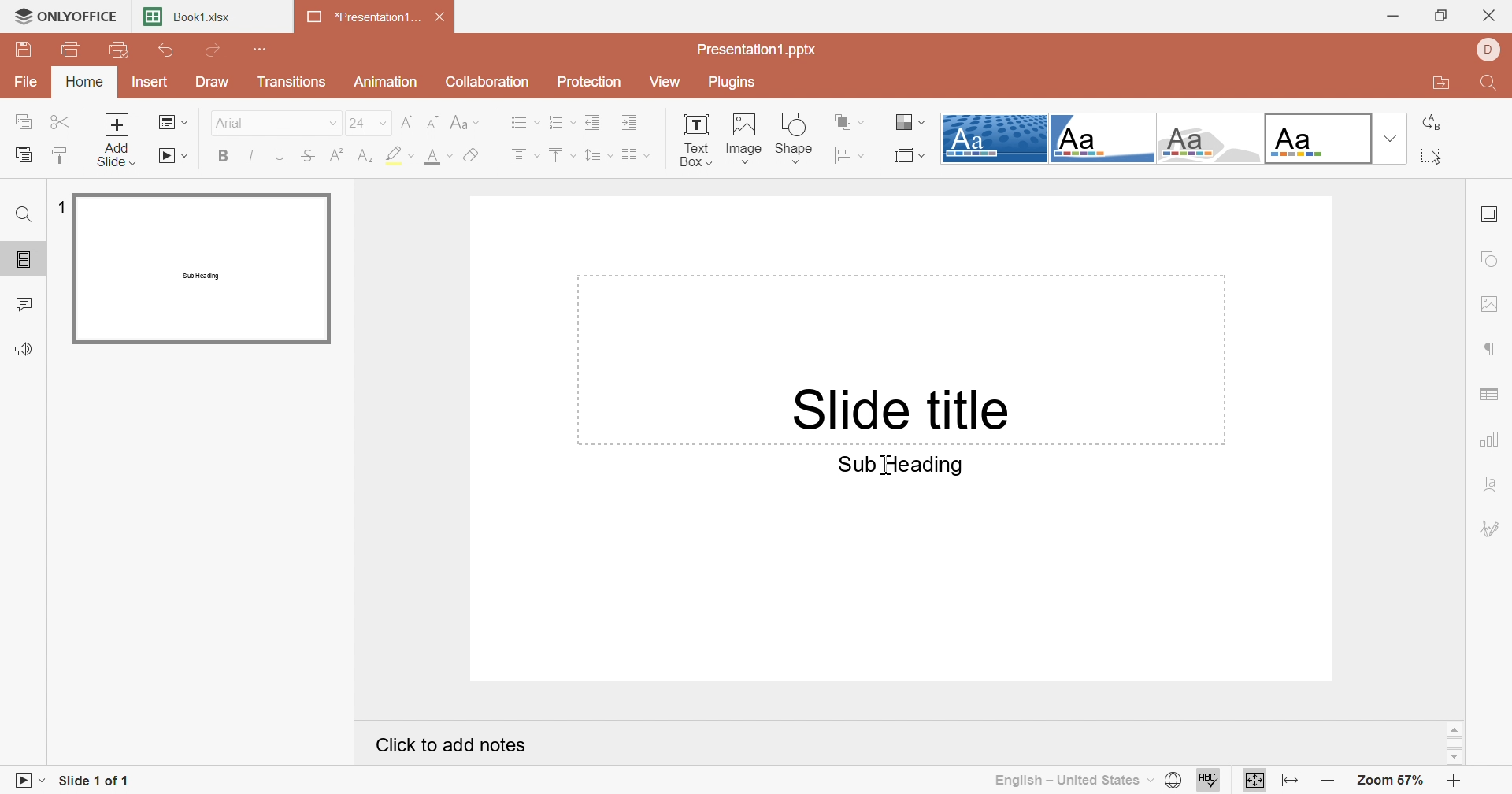 The height and width of the screenshot is (794, 1512). What do you see at coordinates (27, 348) in the screenshot?
I see `Feedback & Support` at bounding box center [27, 348].